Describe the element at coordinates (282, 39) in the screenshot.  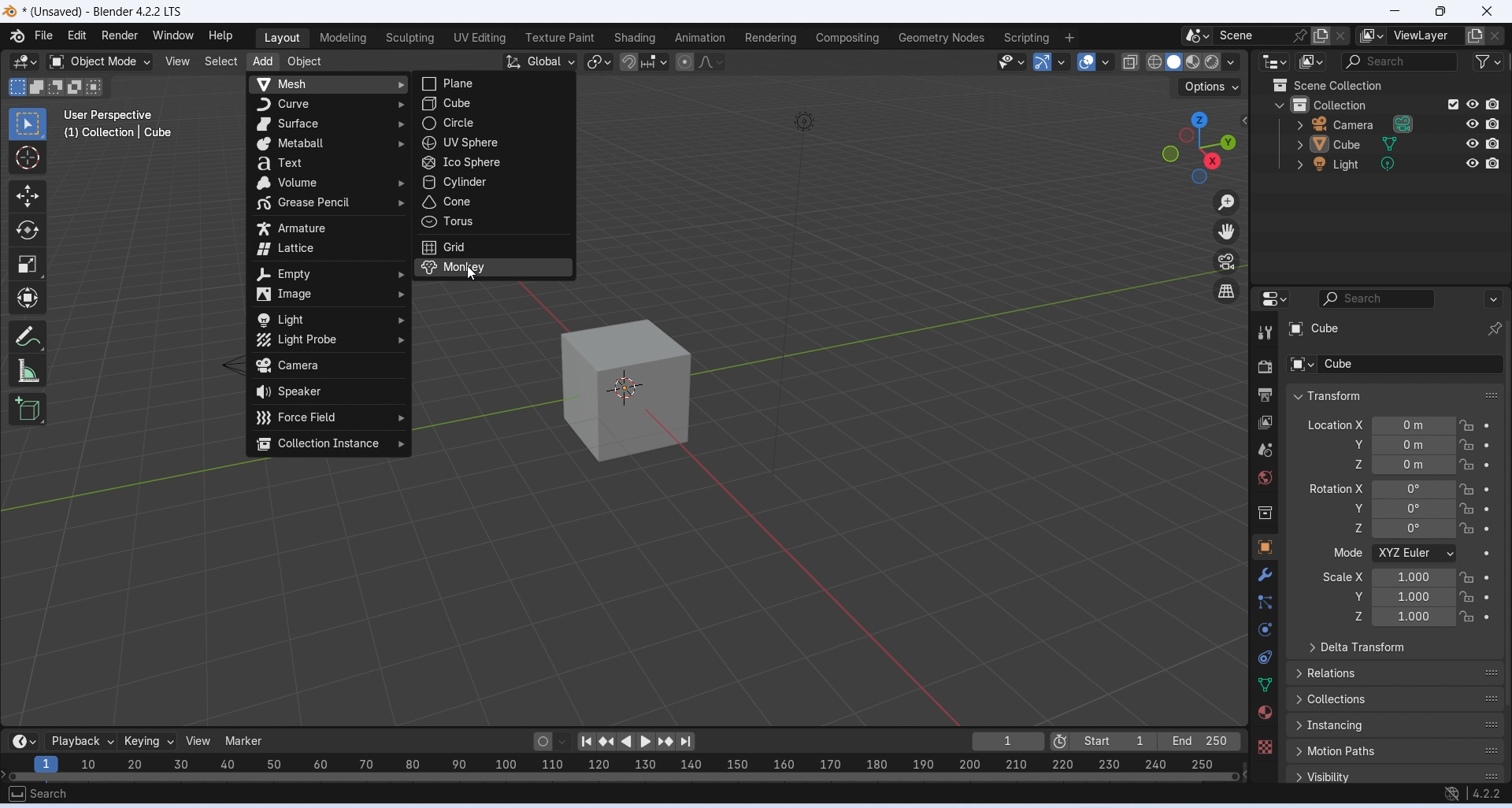
I see `Layout` at that location.